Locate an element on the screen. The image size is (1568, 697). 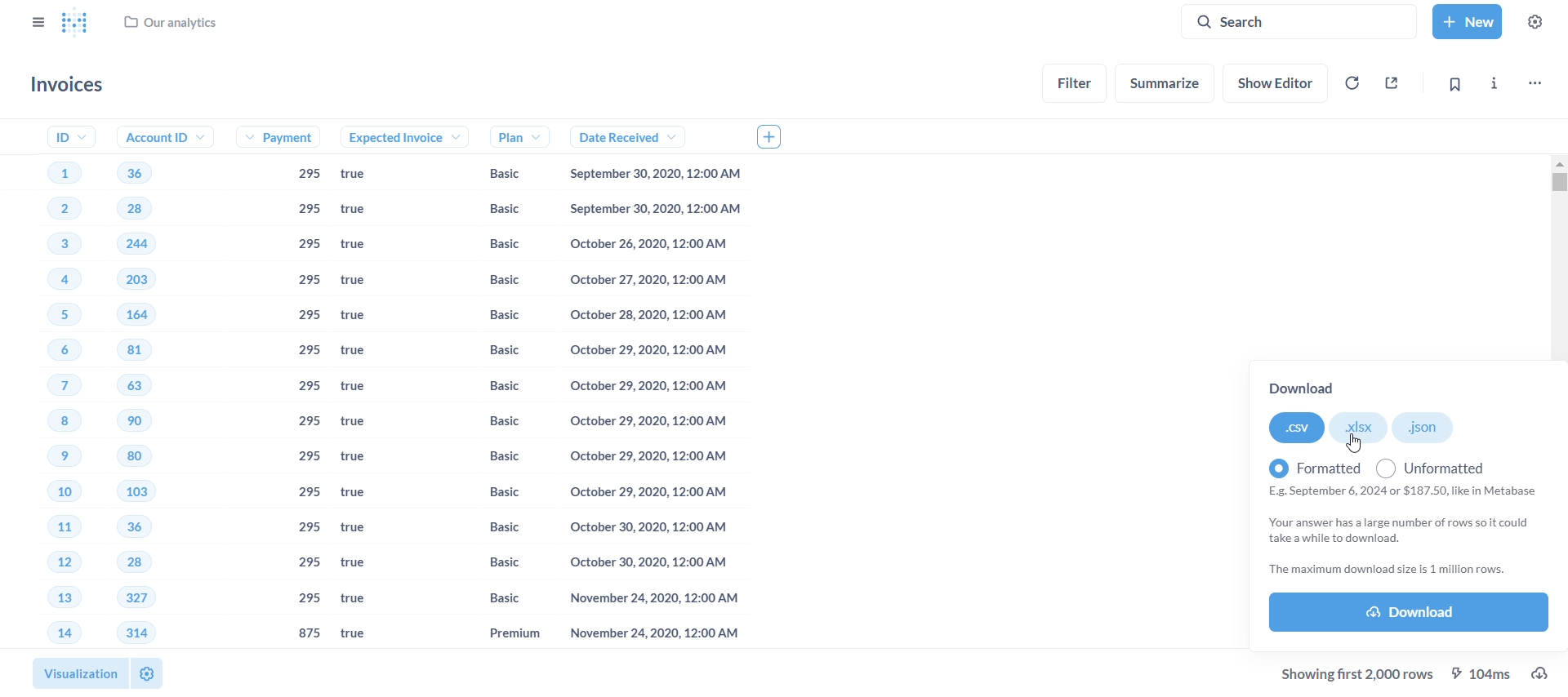
2 is located at coordinates (52, 211).